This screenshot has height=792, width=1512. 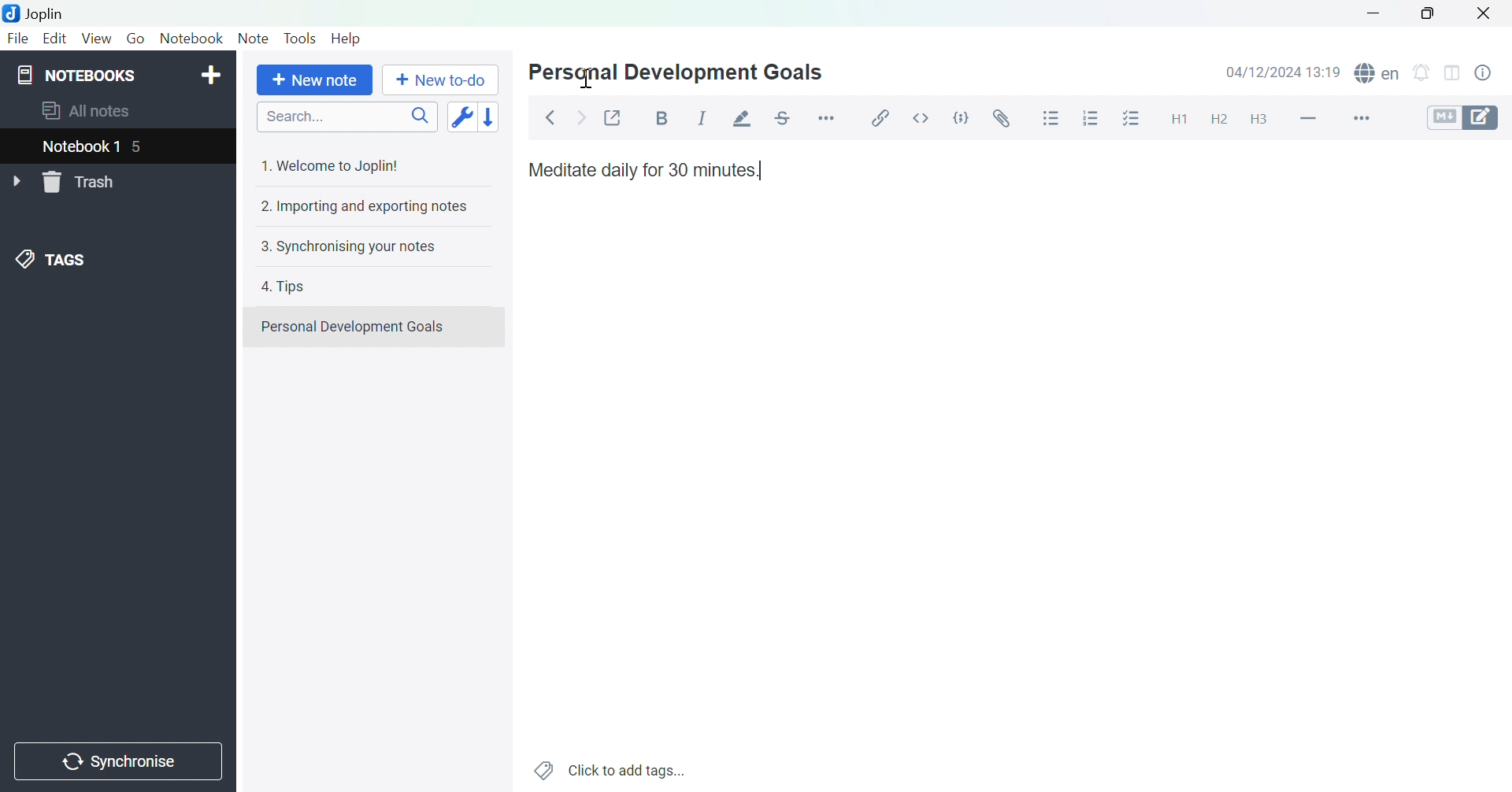 What do you see at coordinates (54, 258) in the screenshot?
I see `TAGS` at bounding box center [54, 258].